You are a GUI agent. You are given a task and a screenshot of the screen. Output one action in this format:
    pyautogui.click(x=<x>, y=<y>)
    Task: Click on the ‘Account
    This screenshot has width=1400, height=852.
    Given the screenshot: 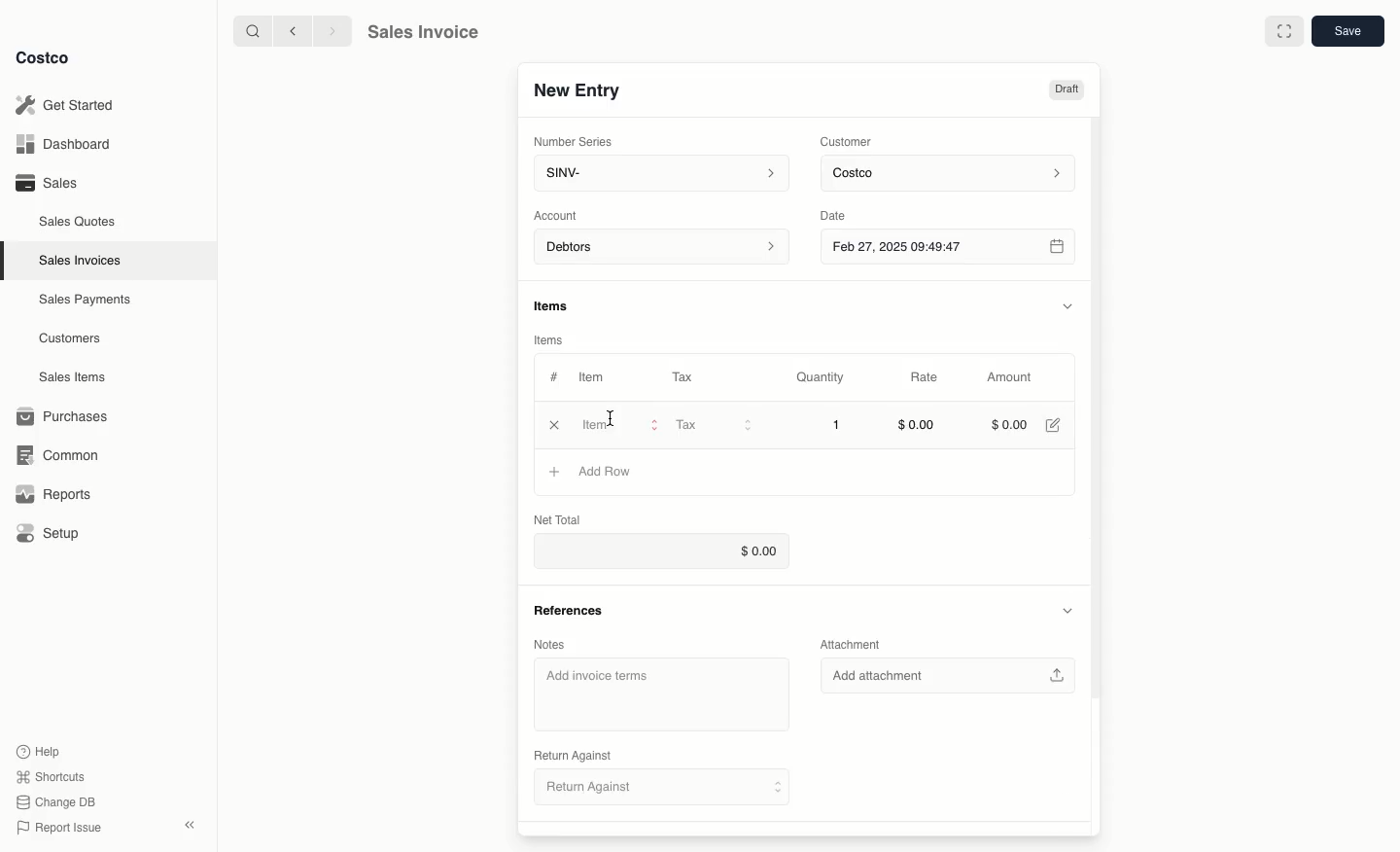 What is the action you would take?
    pyautogui.click(x=559, y=214)
    